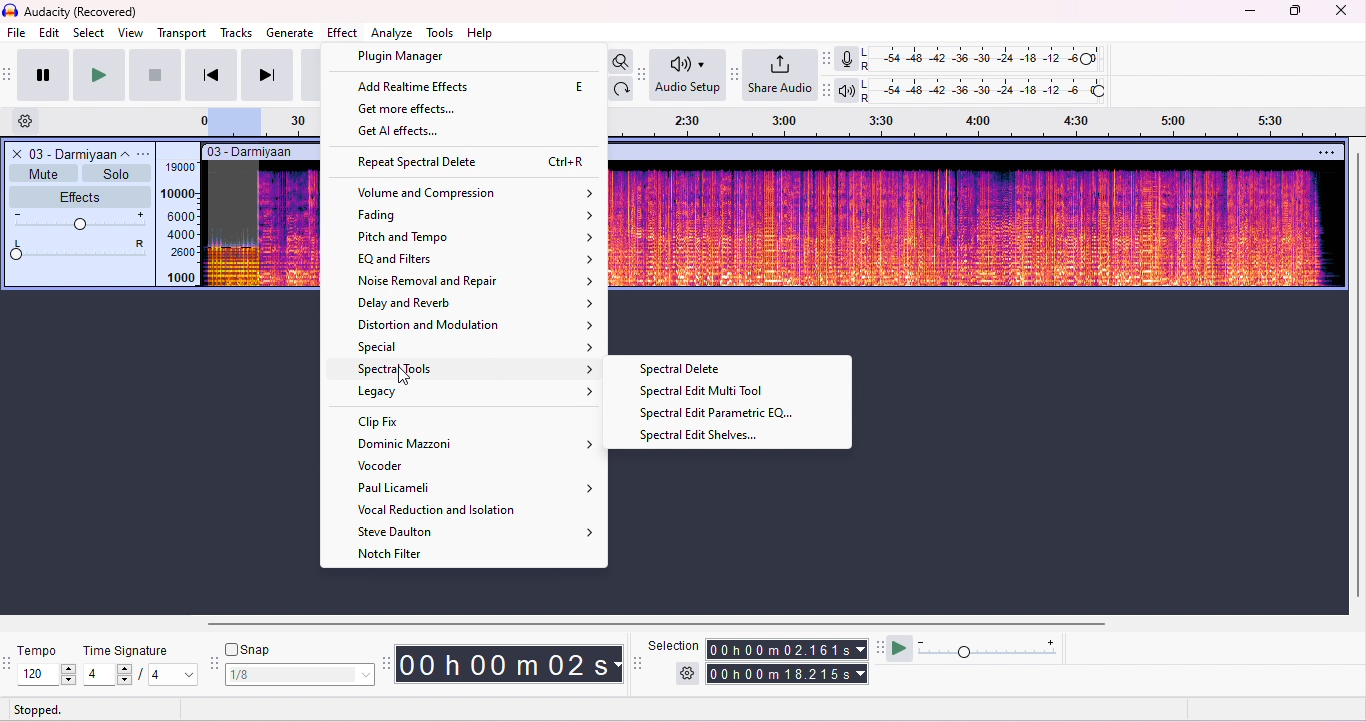  What do you see at coordinates (899, 649) in the screenshot?
I see `play at speed/play at speed once` at bounding box center [899, 649].